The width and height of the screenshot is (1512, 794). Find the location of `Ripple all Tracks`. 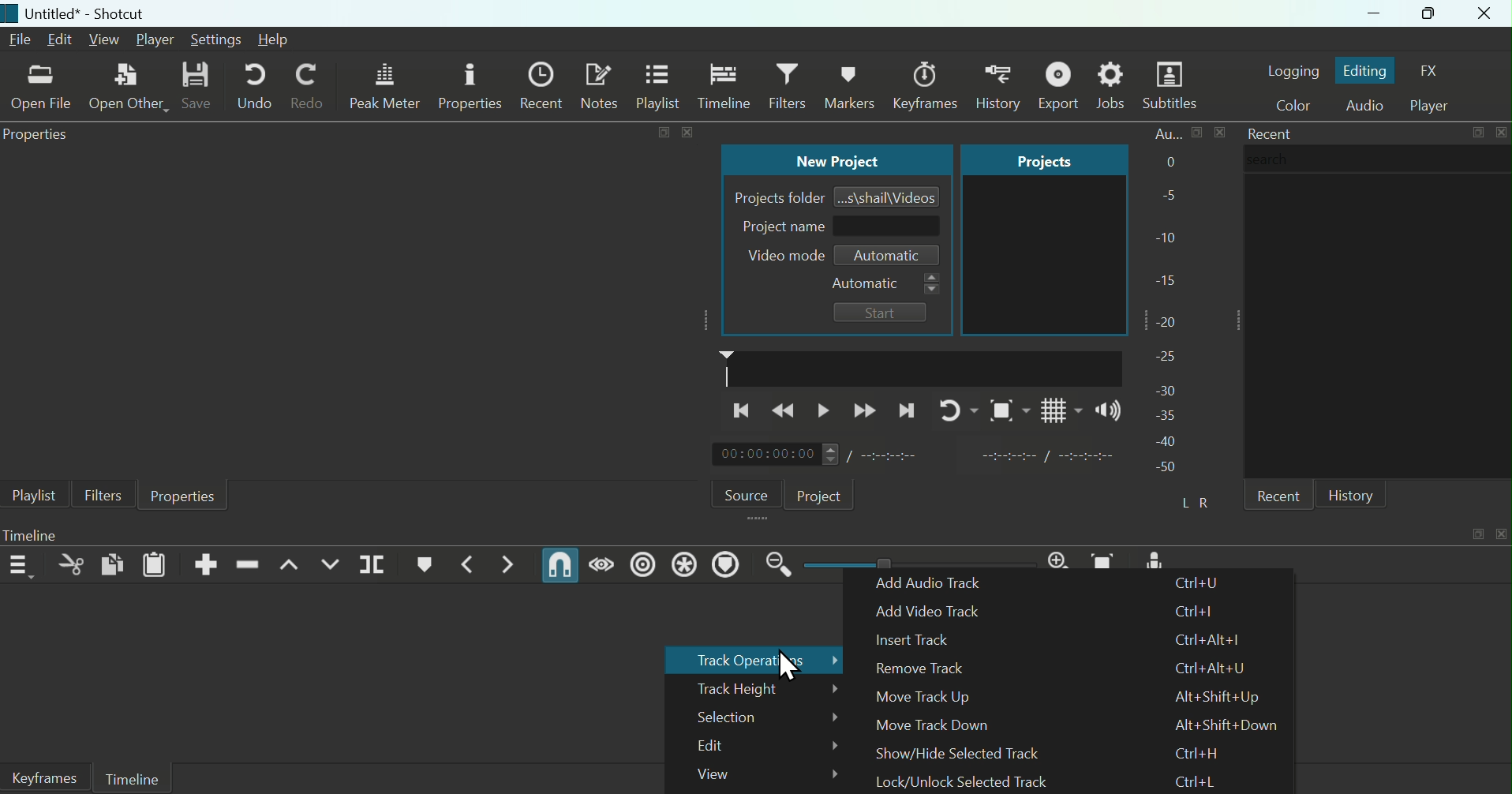

Ripple all Tracks is located at coordinates (684, 564).